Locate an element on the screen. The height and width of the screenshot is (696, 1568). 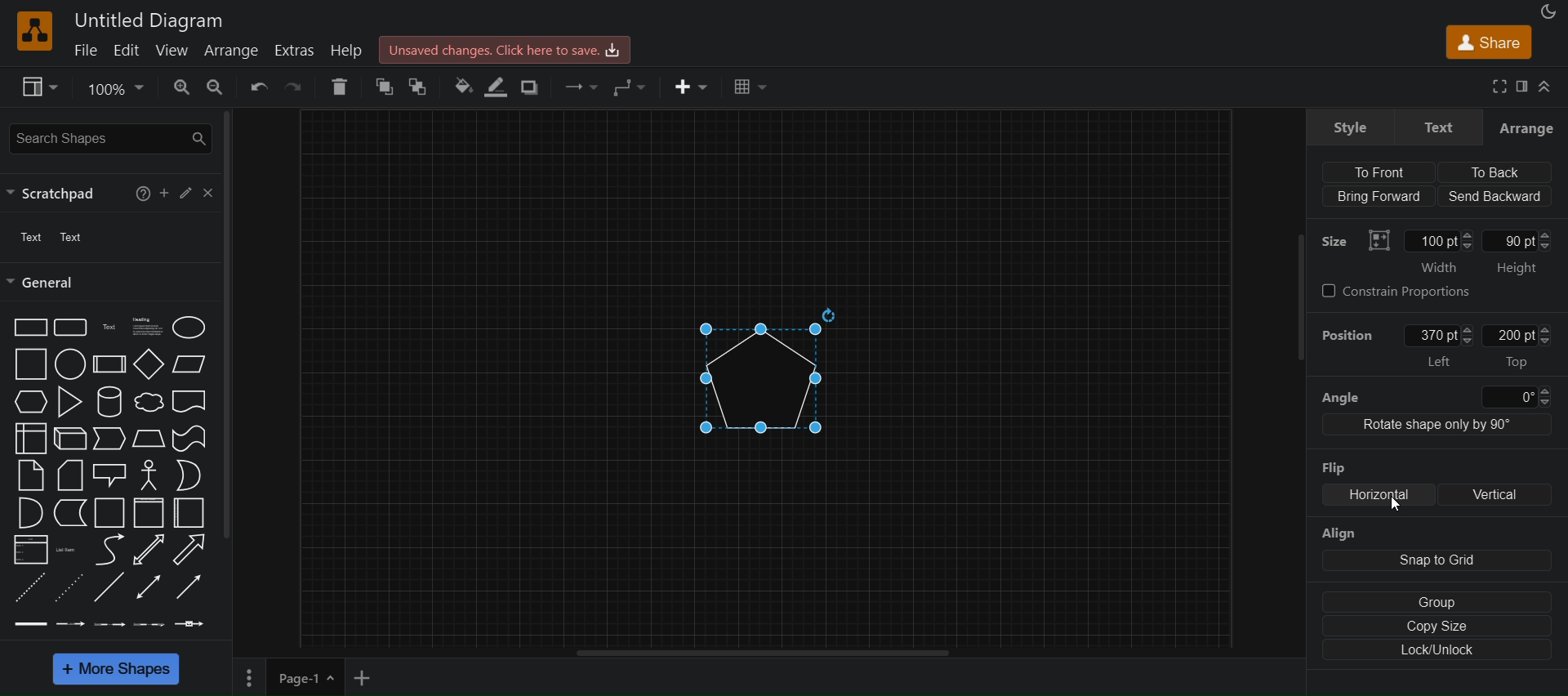
Cloud is located at coordinates (149, 402).